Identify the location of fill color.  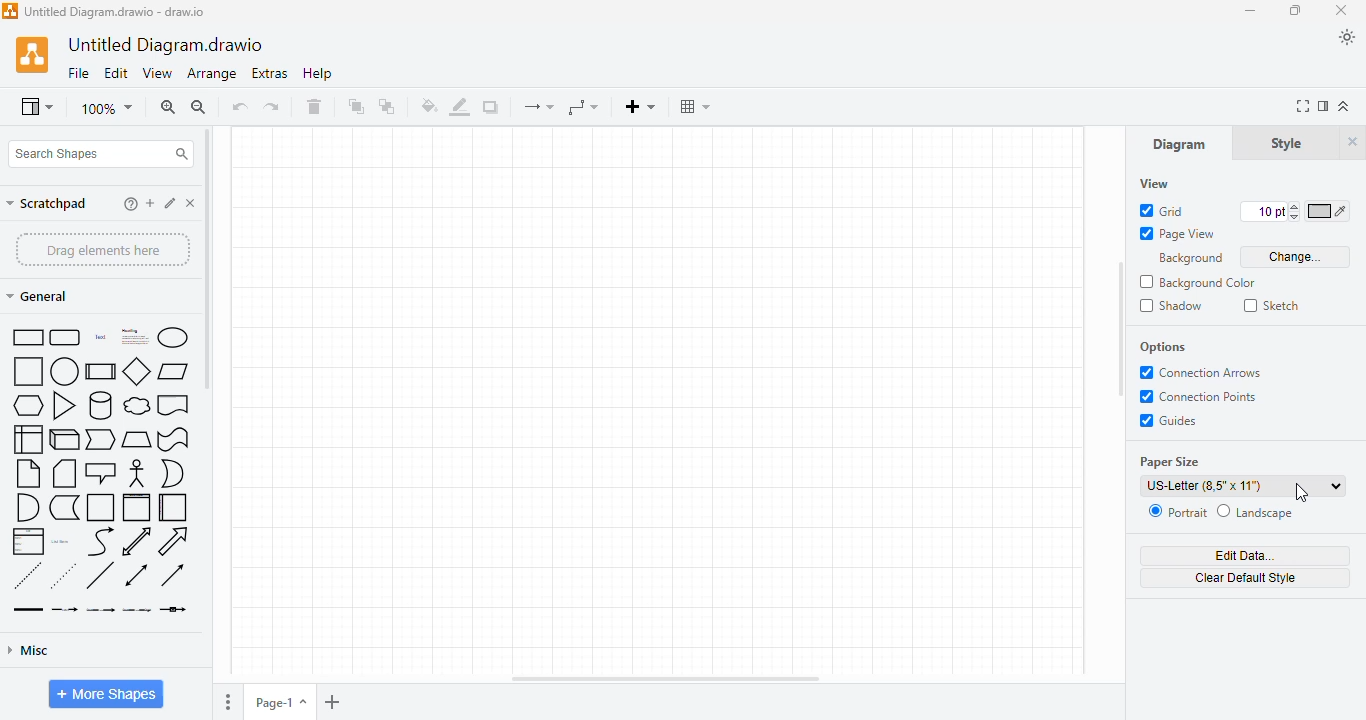
(429, 105).